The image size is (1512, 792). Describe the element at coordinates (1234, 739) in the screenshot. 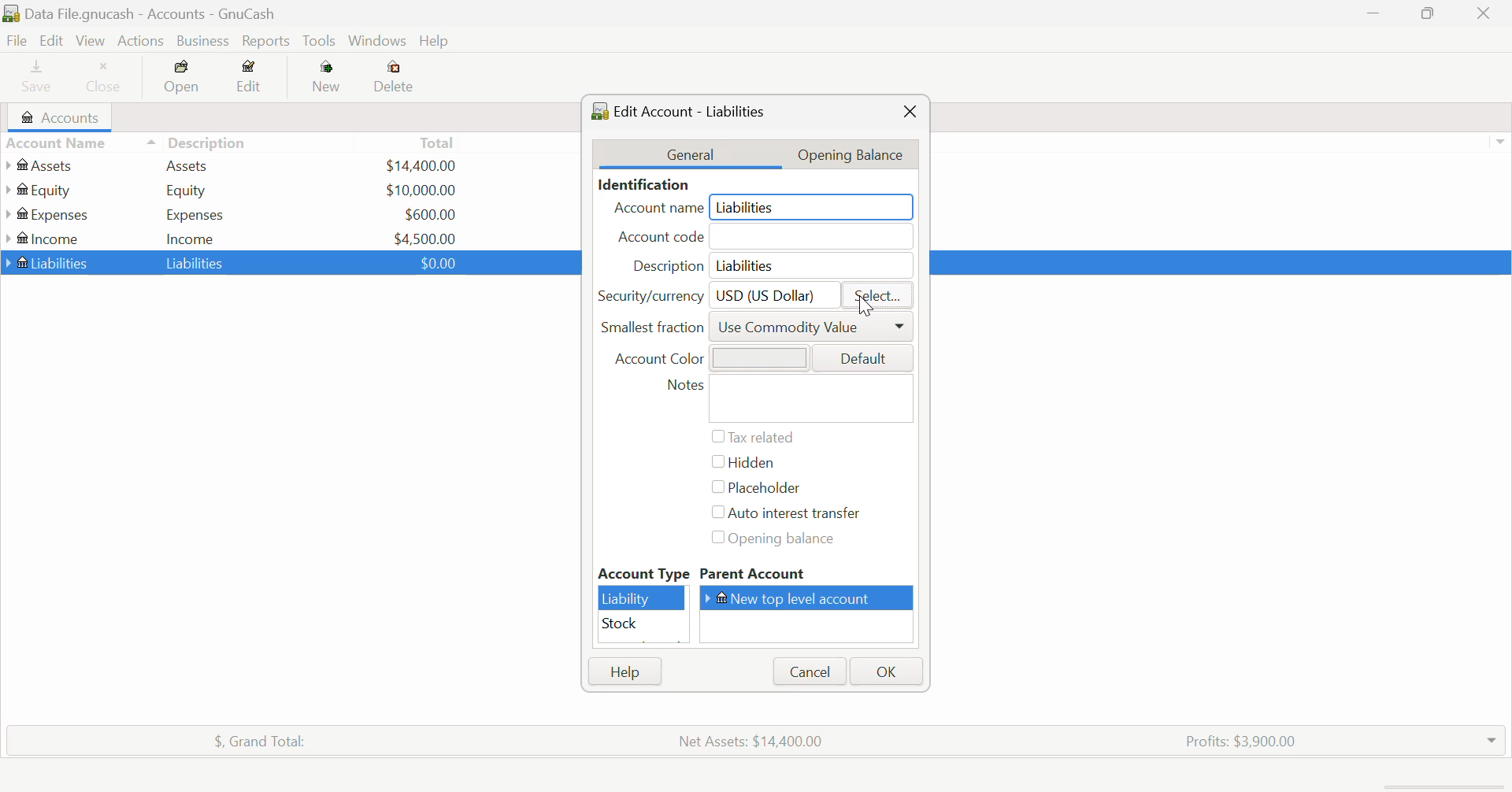

I see `Profits` at that location.